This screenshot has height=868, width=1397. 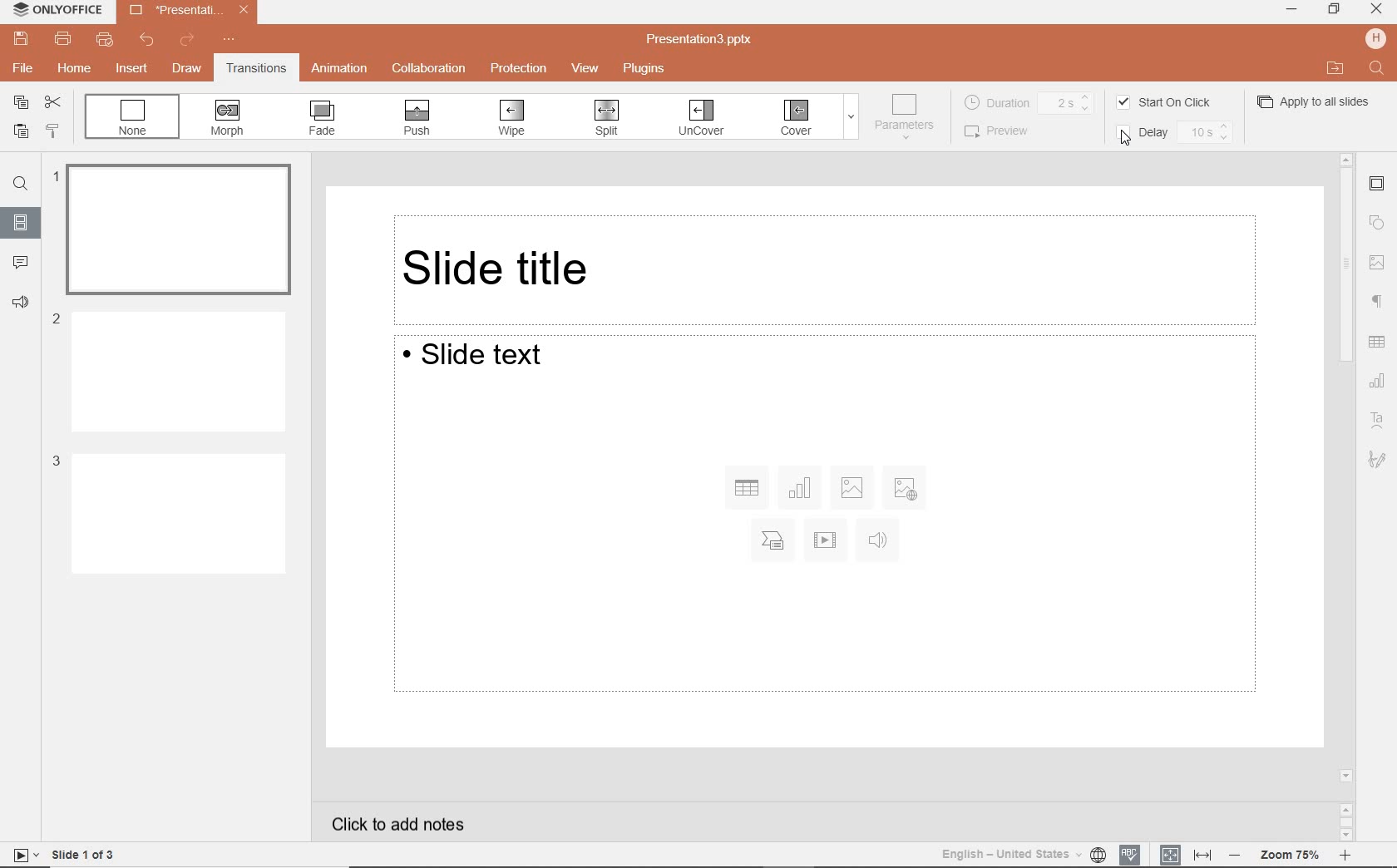 I want to click on NONE, so click(x=132, y=116).